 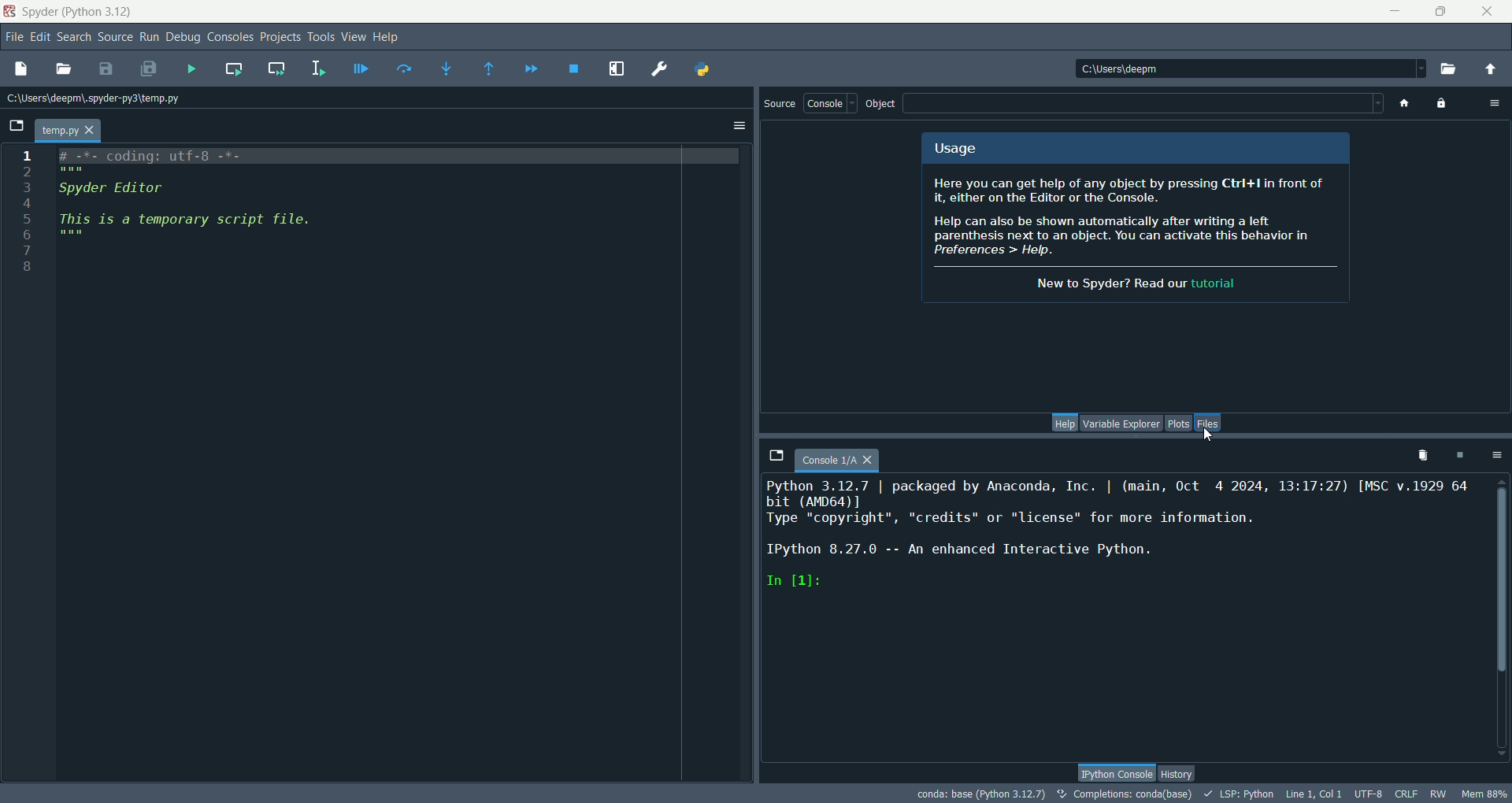 I want to click on file, so click(x=13, y=38).